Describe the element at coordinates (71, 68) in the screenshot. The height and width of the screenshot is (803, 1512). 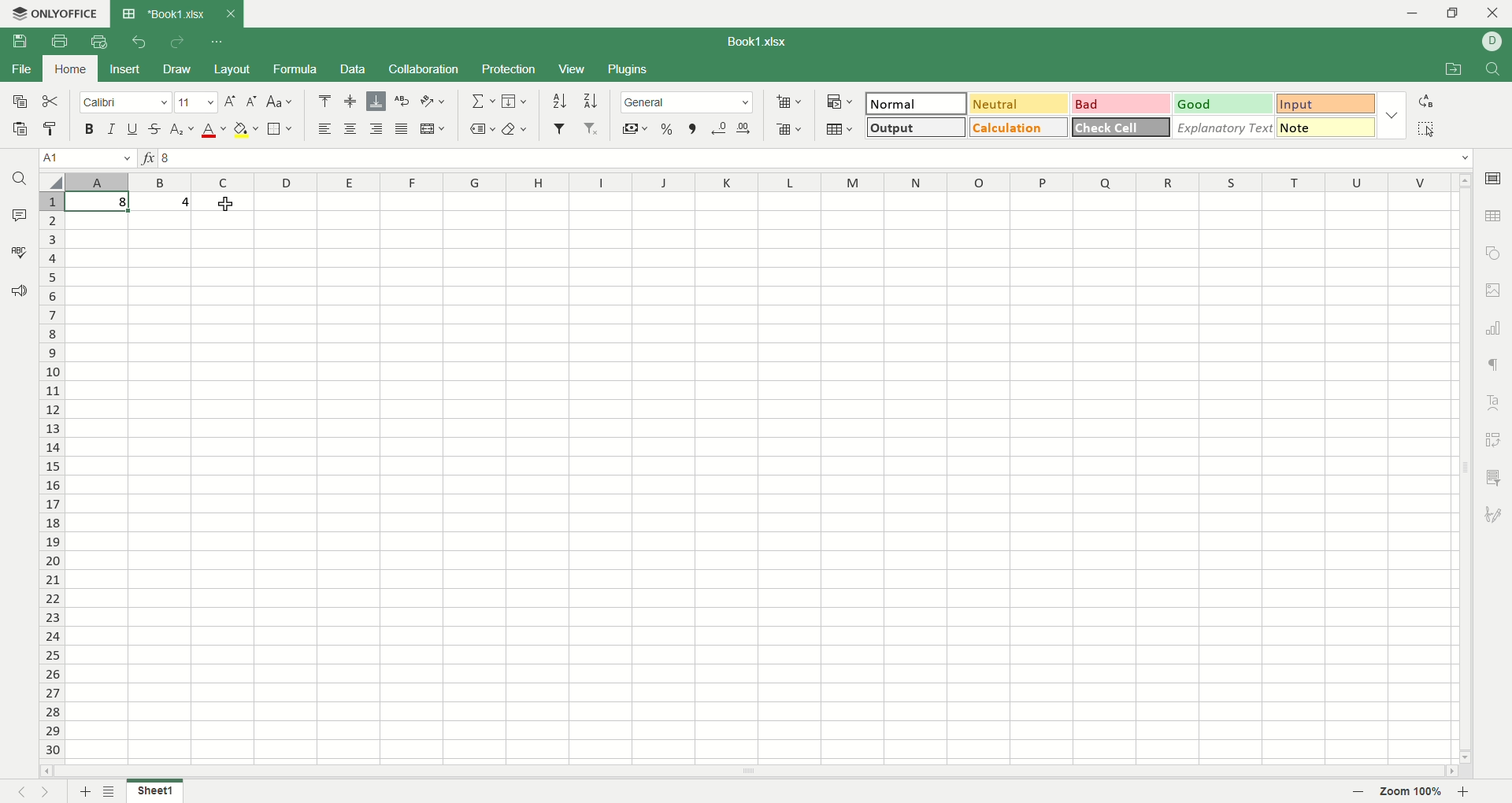
I see `home` at that location.